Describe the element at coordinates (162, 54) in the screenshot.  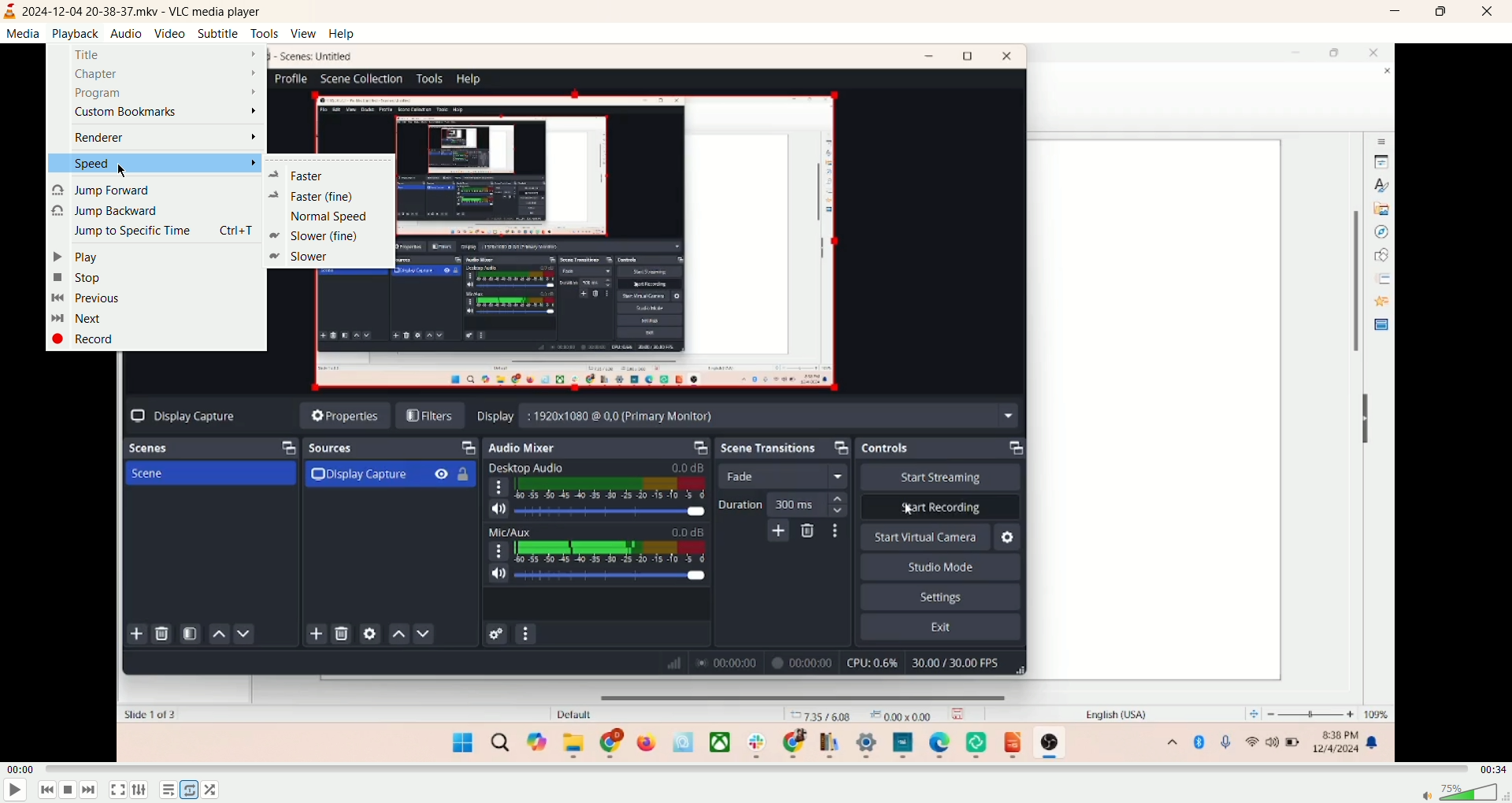
I see `title` at that location.